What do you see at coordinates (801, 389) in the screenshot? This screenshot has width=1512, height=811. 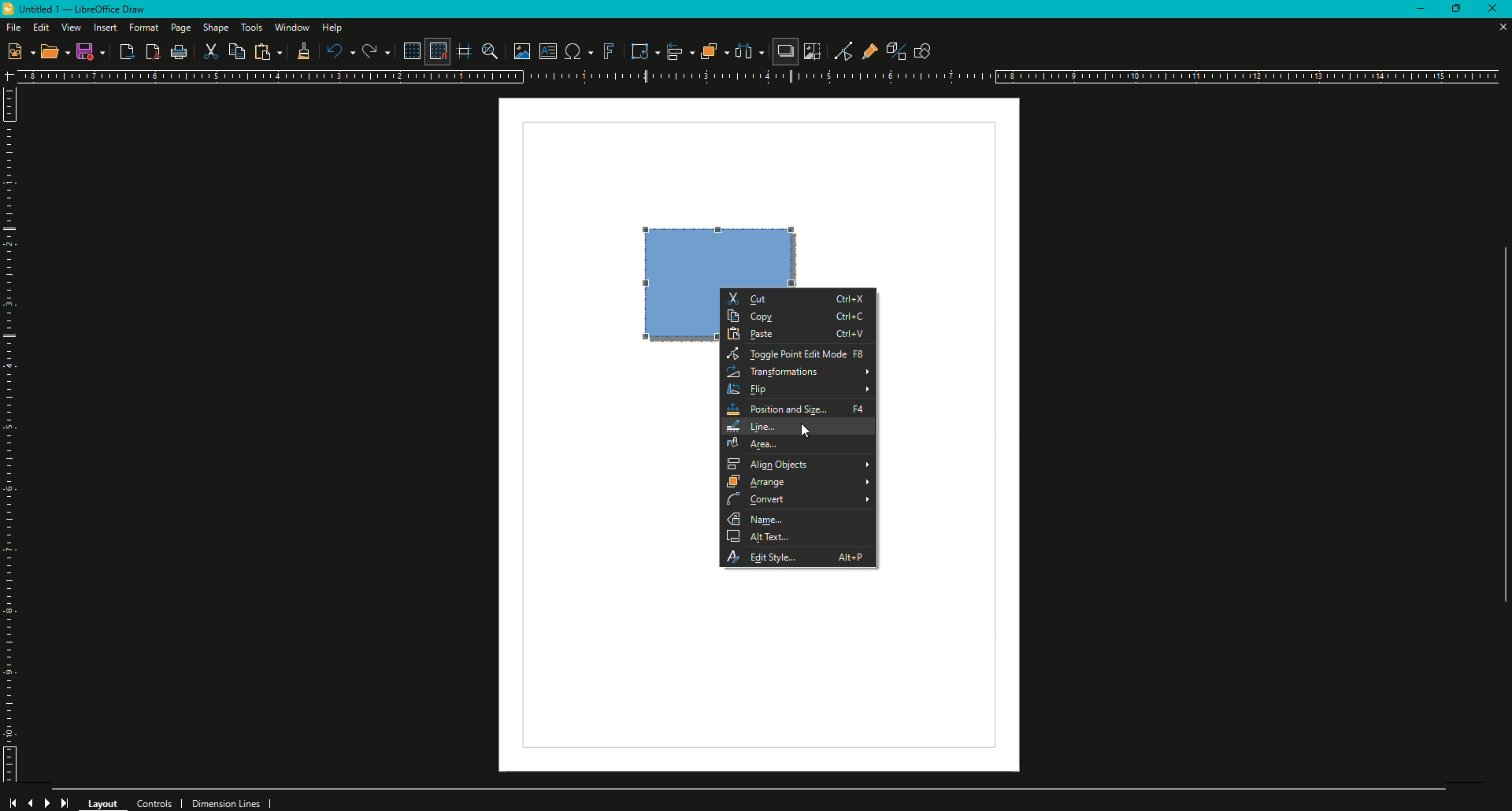 I see `Flip` at bounding box center [801, 389].